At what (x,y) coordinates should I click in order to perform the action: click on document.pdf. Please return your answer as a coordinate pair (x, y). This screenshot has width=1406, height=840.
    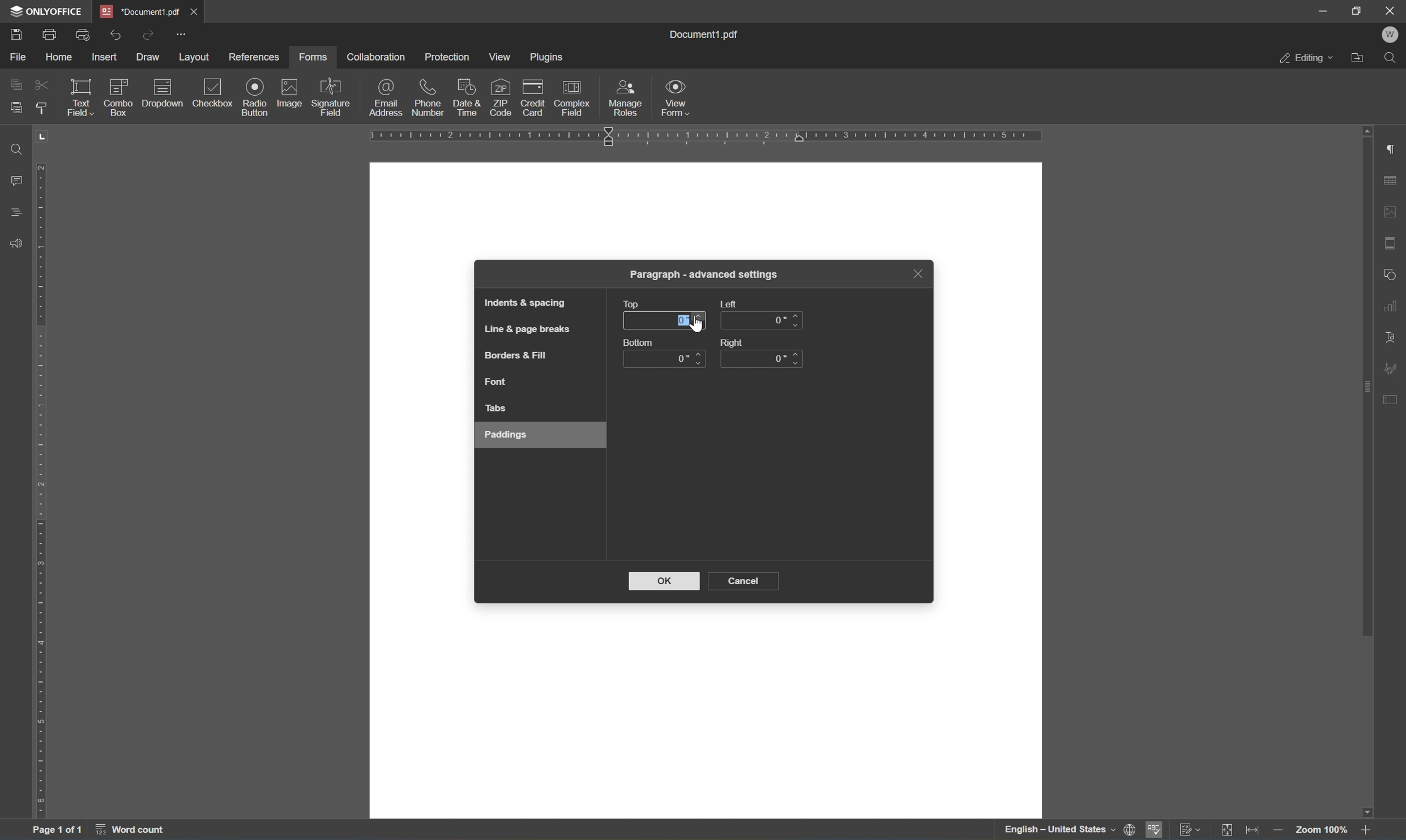
    Looking at the image, I should click on (710, 34).